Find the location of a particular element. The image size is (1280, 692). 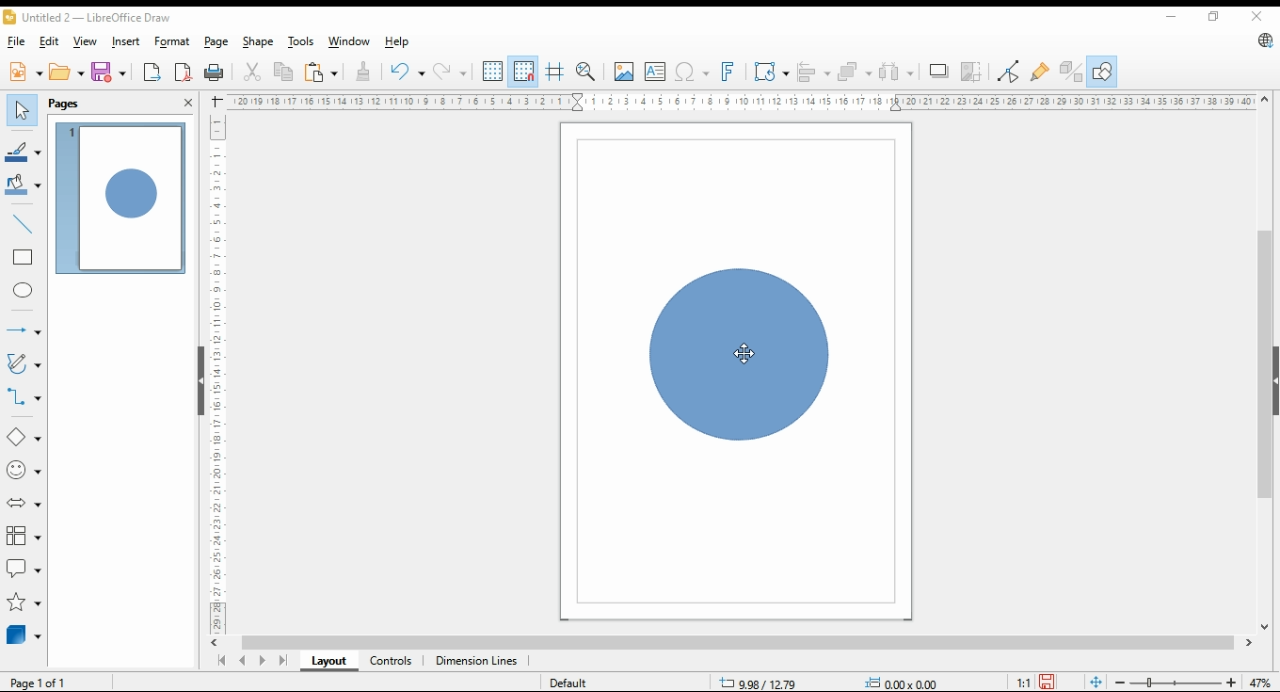

page is located at coordinates (216, 42).